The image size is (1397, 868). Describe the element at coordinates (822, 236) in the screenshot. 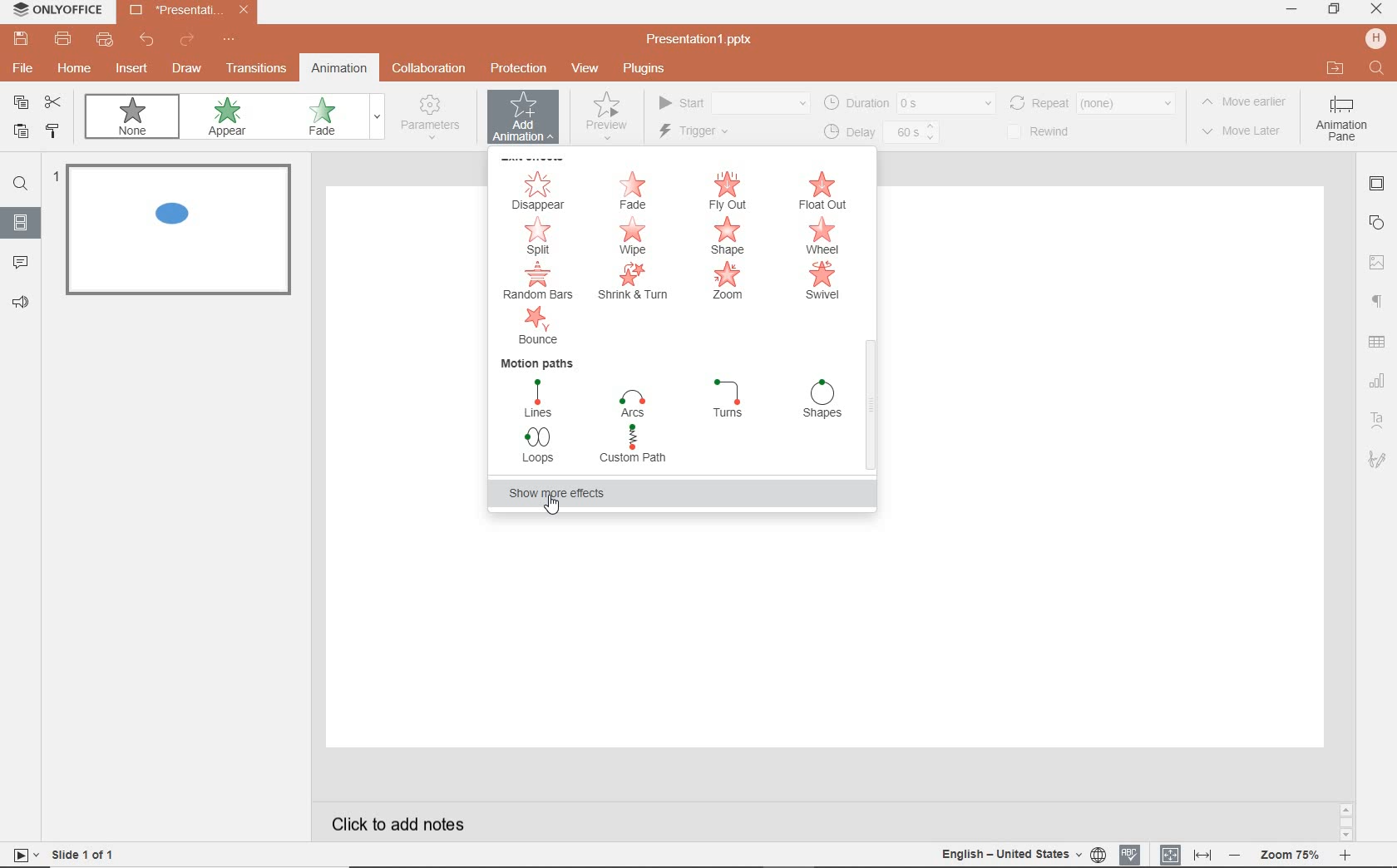

I see `WHEEL` at that location.